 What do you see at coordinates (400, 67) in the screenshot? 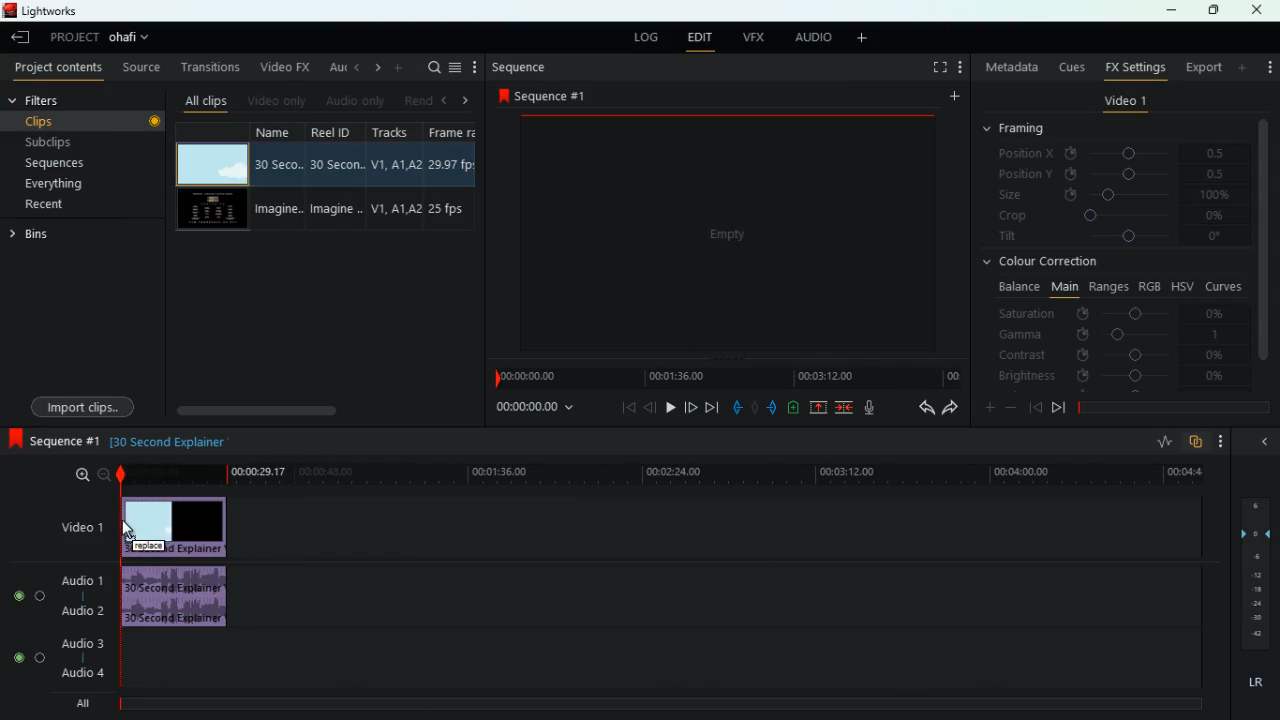
I see `more` at bounding box center [400, 67].